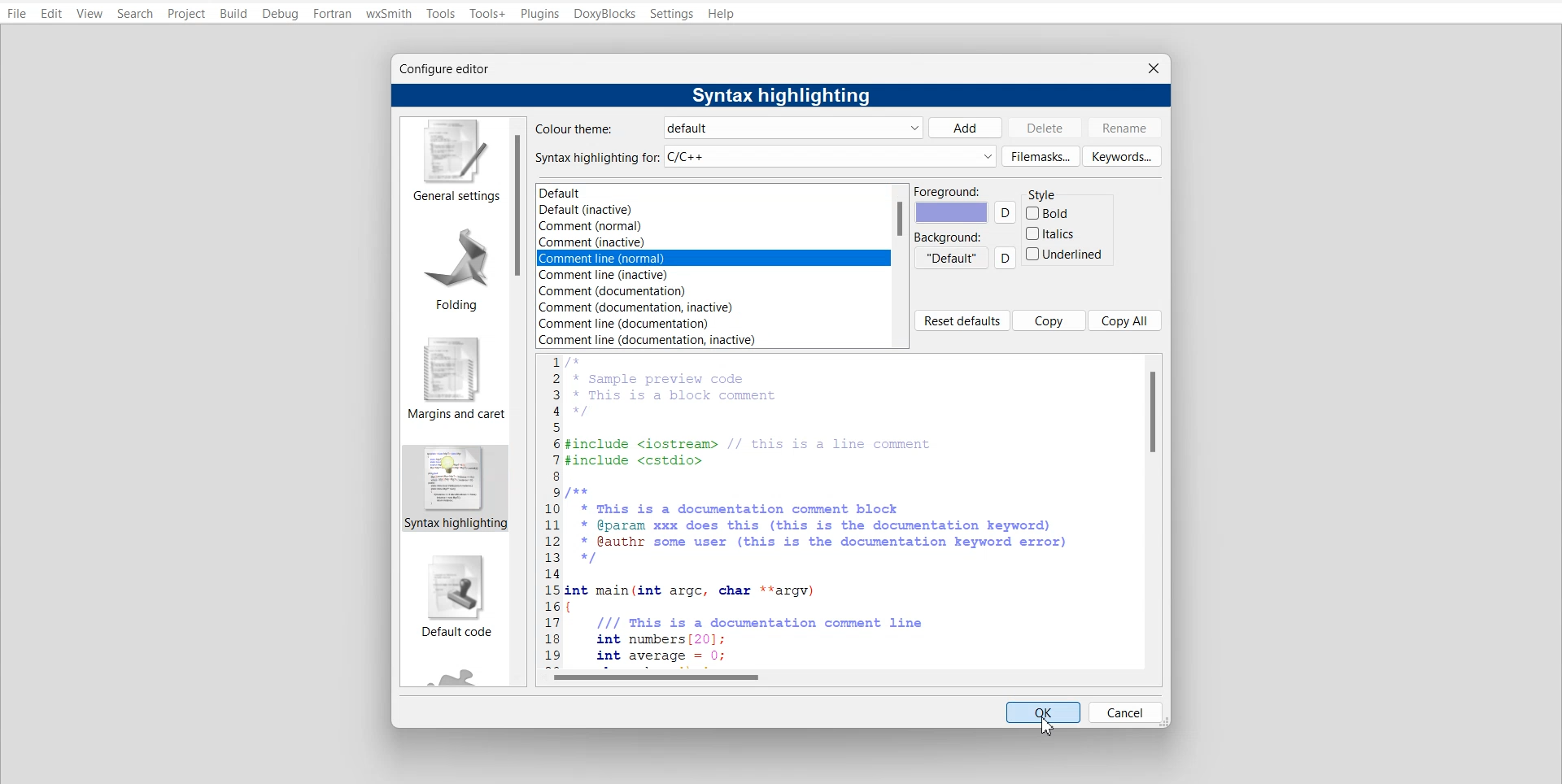  Describe the element at coordinates (645, 226) in the screenshot. I see `Comment (normal)` at that location.